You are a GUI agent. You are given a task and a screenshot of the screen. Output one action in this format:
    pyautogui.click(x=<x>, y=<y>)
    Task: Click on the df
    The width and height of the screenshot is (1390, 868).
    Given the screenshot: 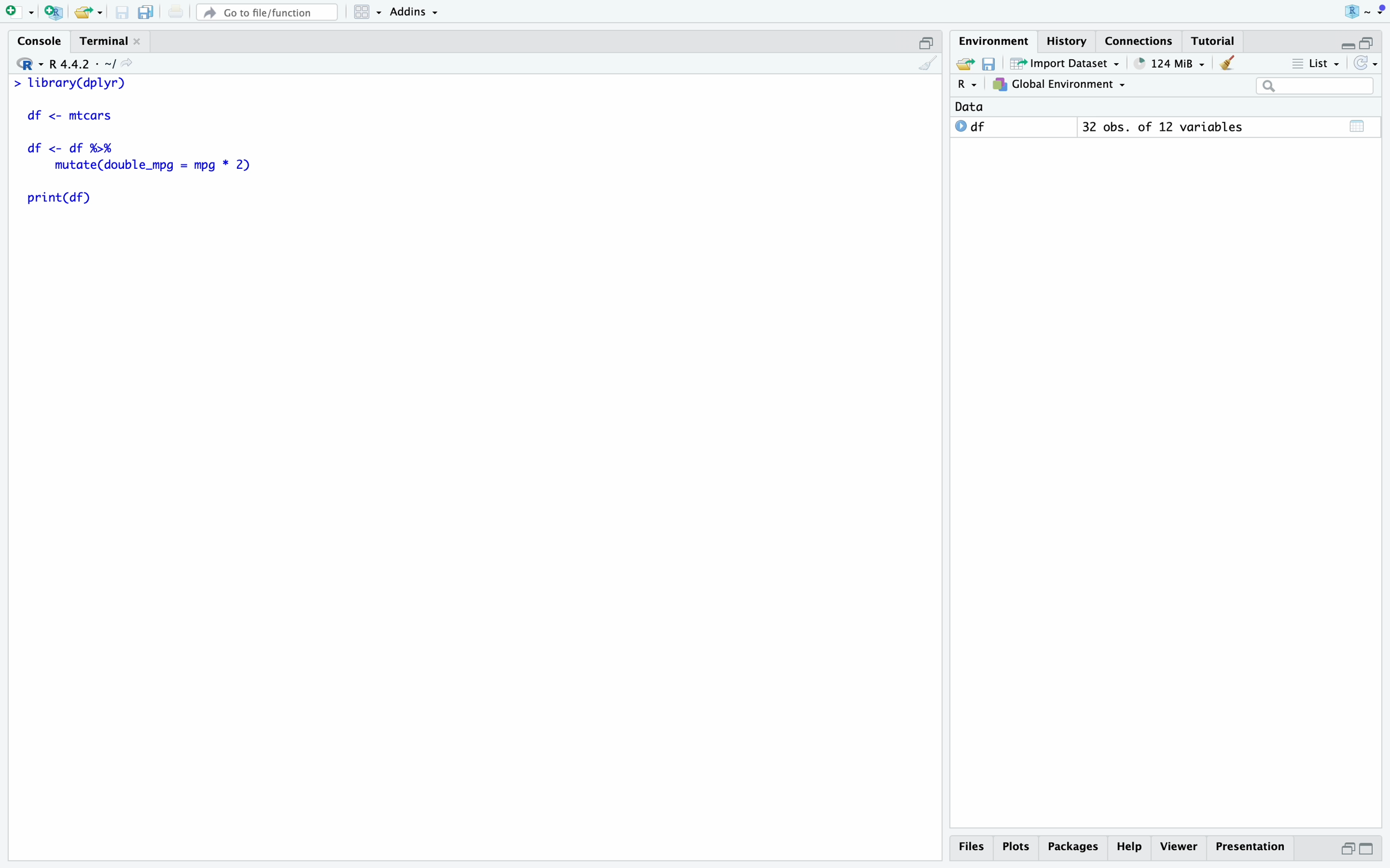 What is the action you would take?
    pyautogui.click(x=971, y=126)
    